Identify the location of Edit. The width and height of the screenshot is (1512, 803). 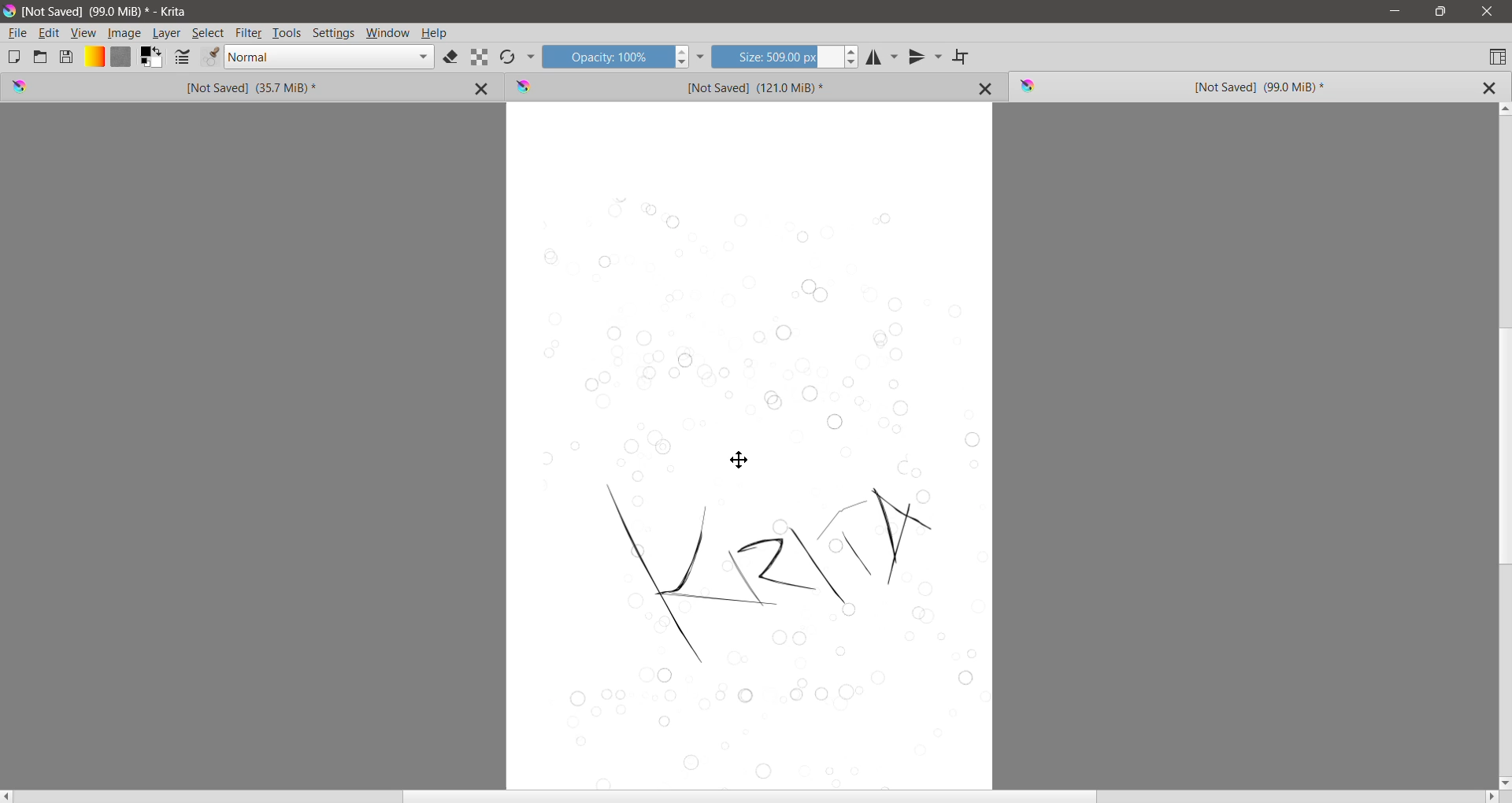
(50, 34).